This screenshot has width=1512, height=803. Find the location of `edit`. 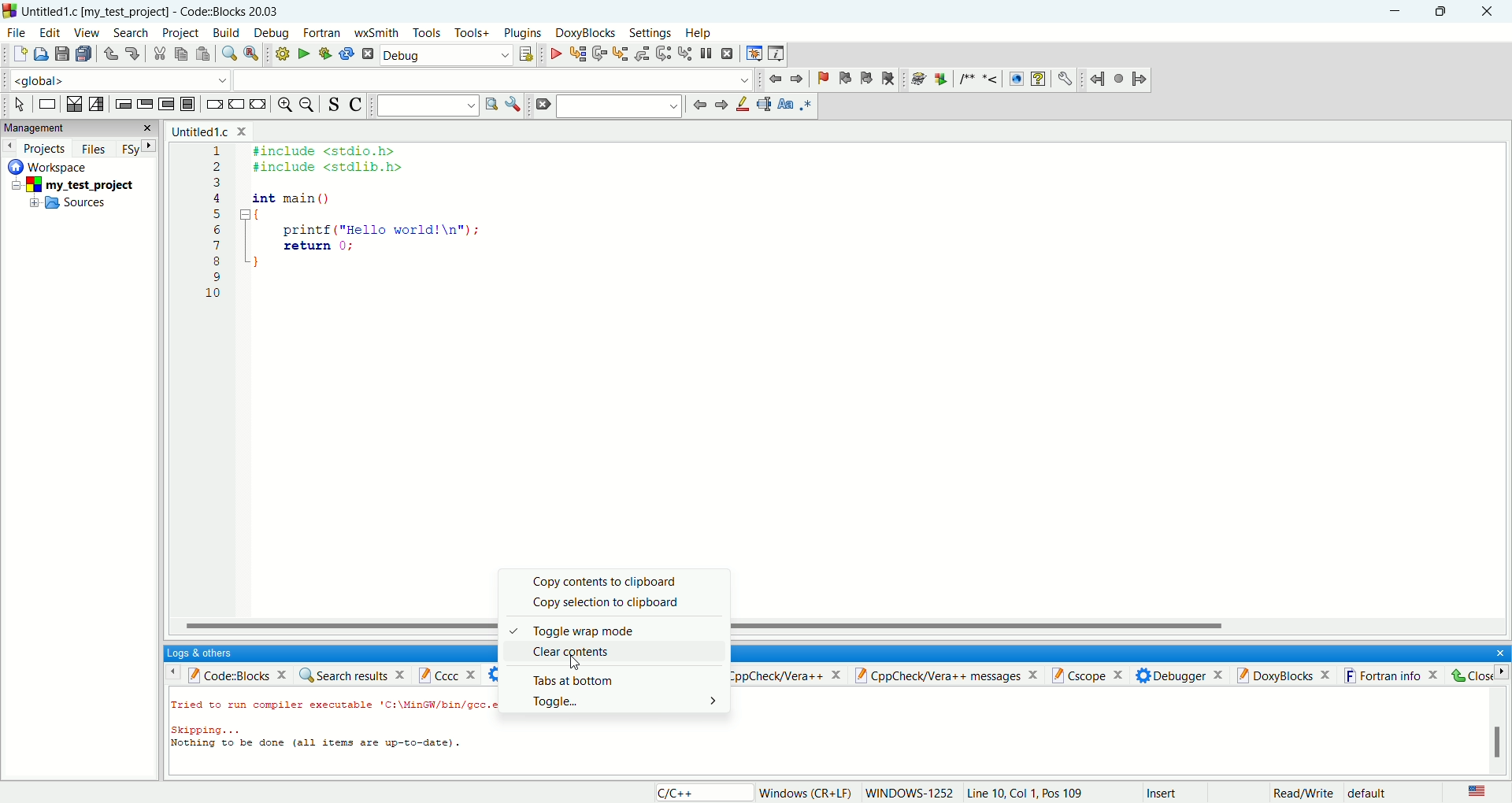

edit is located at coordinates (50, 32).